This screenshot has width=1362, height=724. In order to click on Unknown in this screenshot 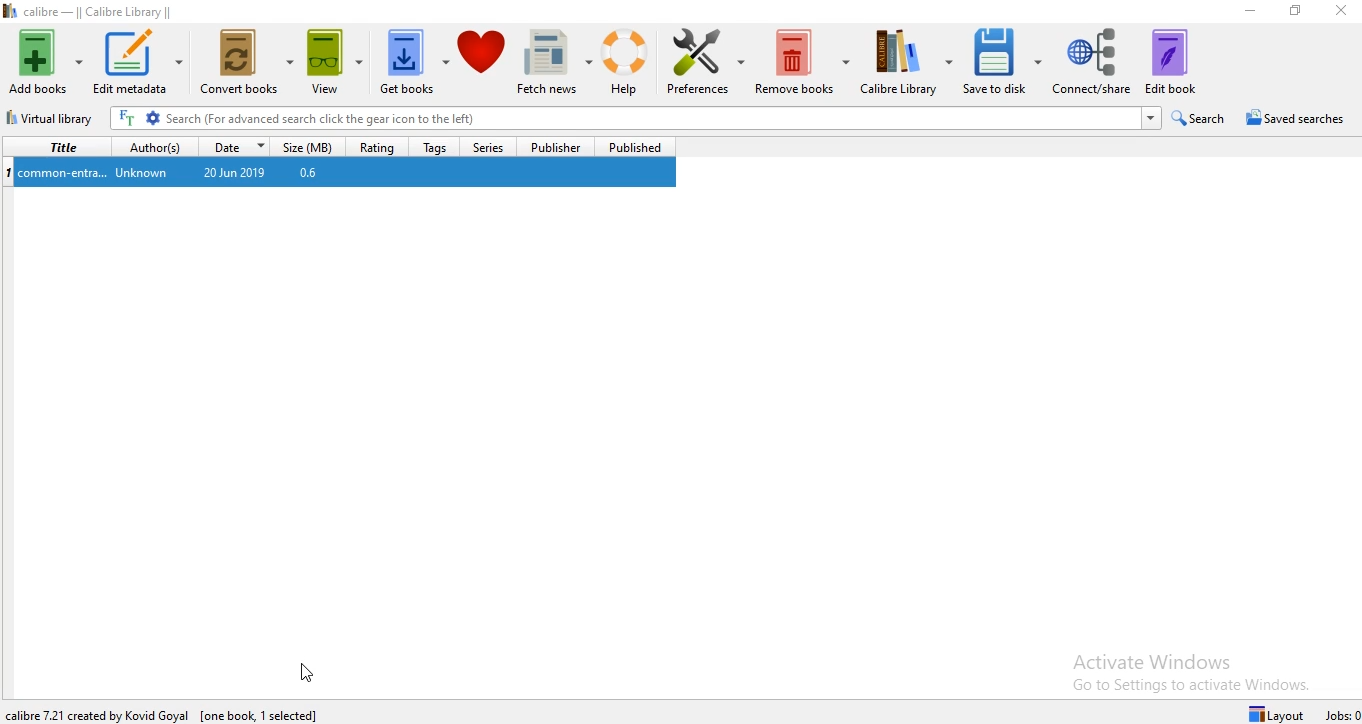, I will do `click(139, 173)`.